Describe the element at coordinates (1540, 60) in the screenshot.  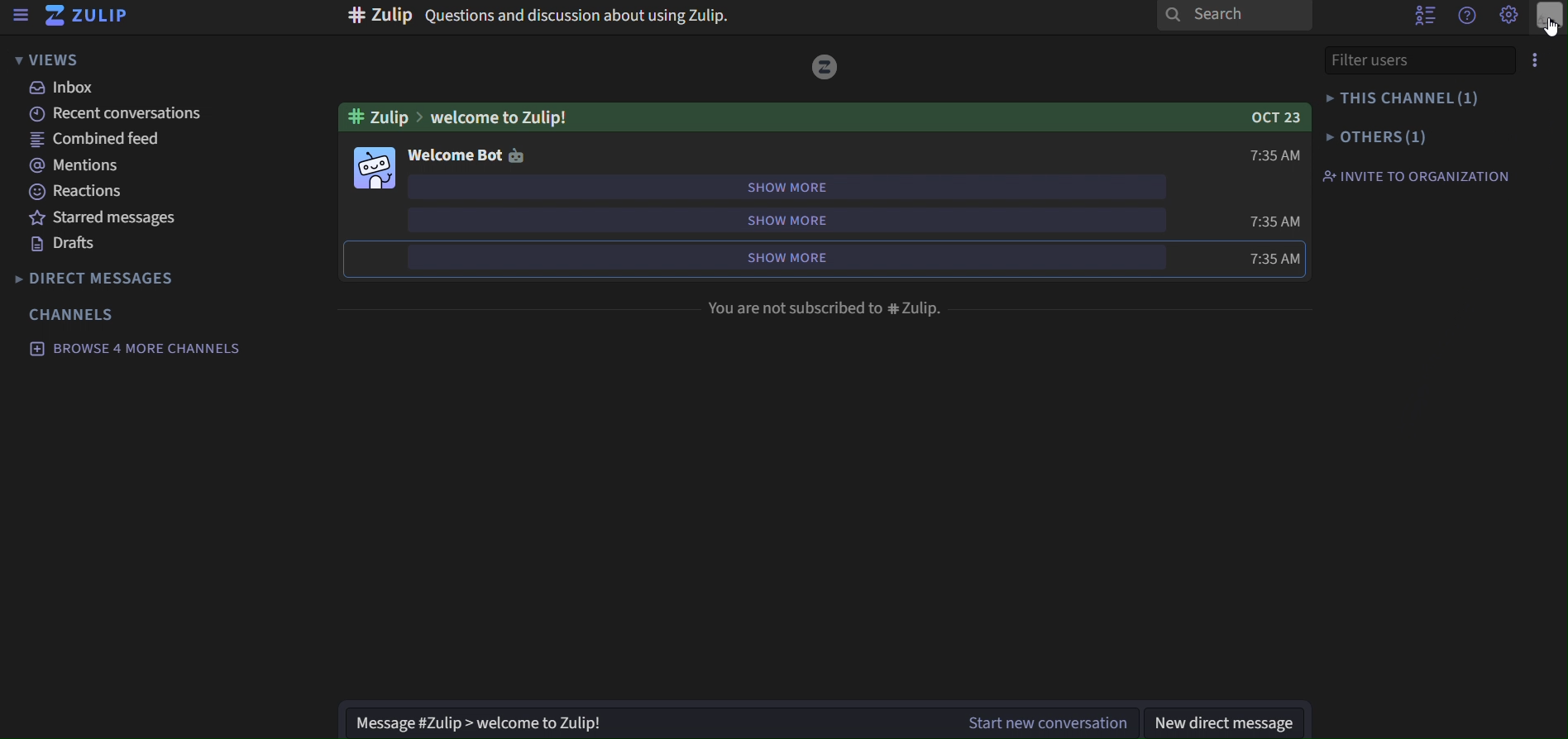
I see `options` at that location.